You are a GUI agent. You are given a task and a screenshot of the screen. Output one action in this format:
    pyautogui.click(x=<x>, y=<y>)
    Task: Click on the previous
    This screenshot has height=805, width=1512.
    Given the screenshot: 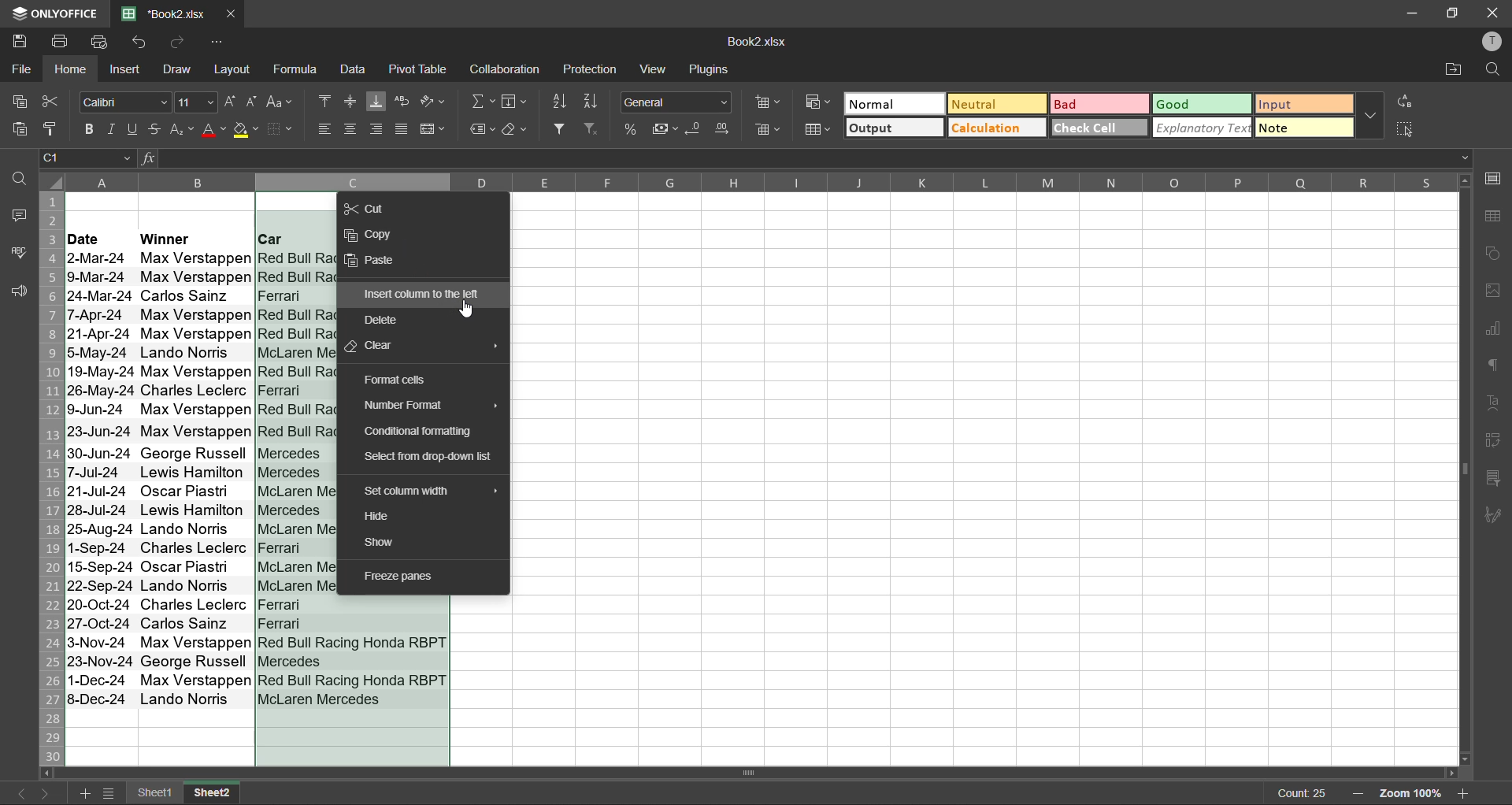 What is the action you would take?
    pyautogui.click(x=16, y=791)
    